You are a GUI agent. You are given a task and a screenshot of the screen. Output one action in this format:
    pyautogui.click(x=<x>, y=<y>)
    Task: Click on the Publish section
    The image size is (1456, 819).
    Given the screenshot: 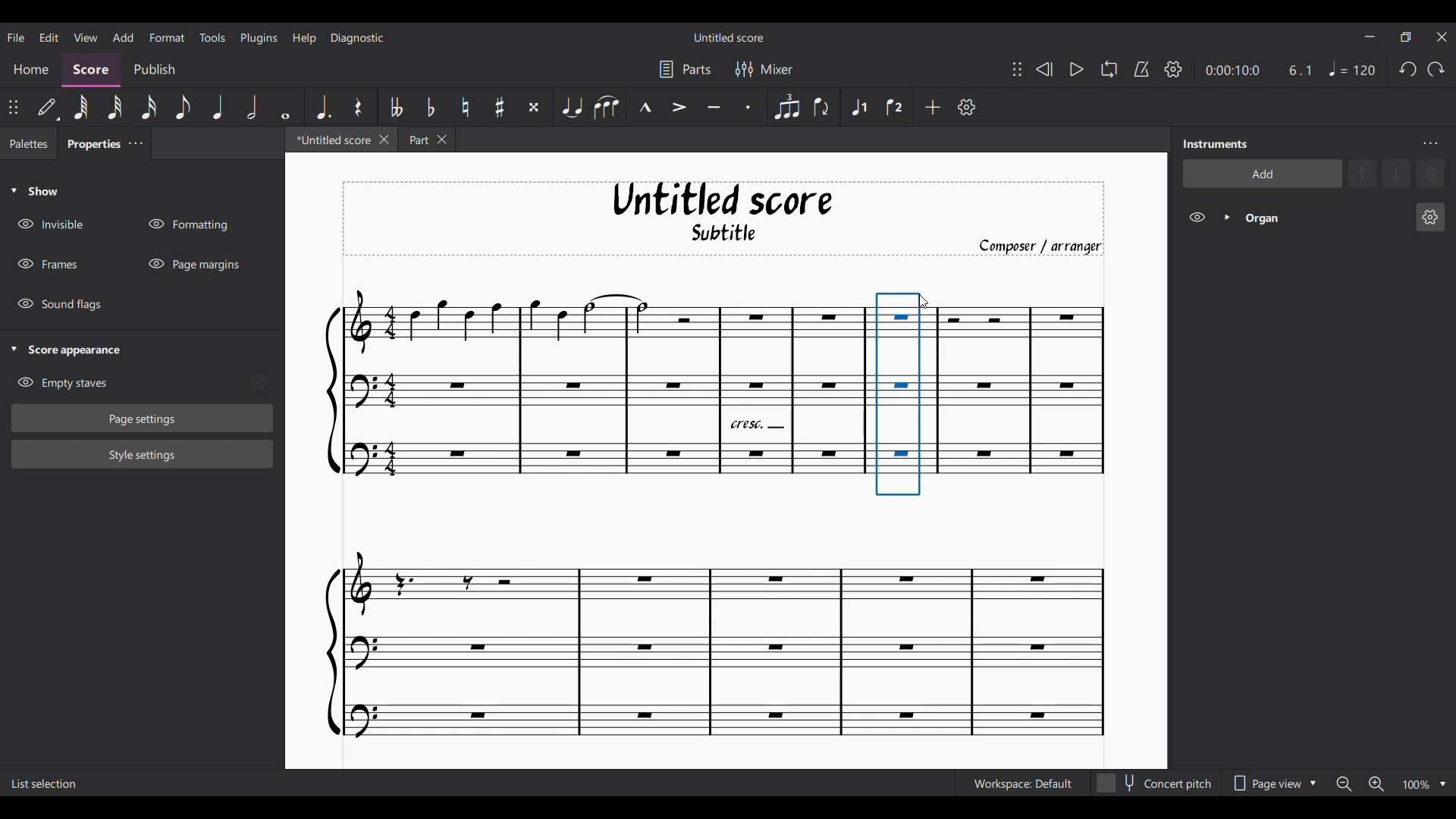 What is the action you would take?
    pyautogui.click(x=153, y=71)
    